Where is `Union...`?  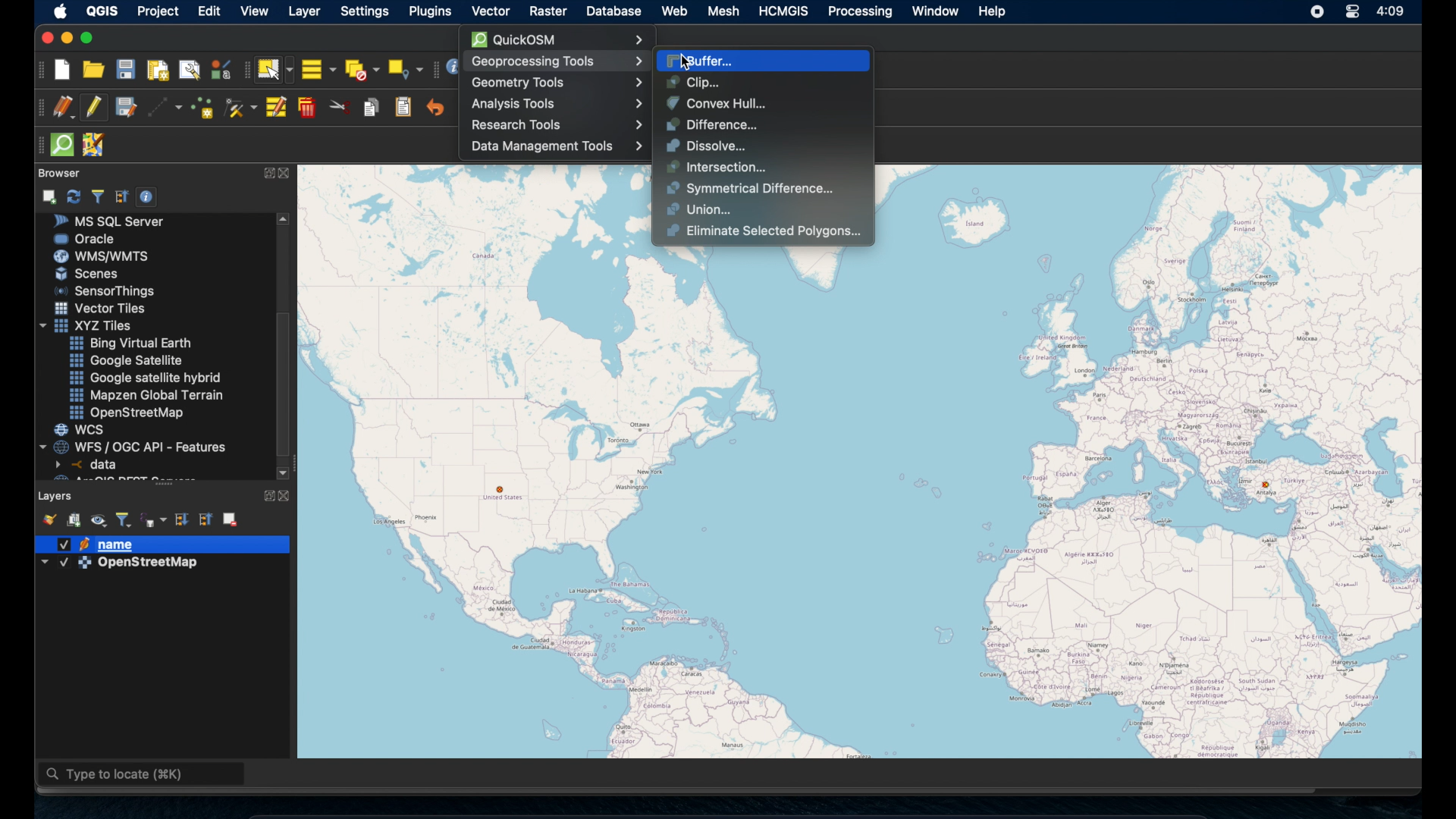 Union... is located at coordinates (699, 209).